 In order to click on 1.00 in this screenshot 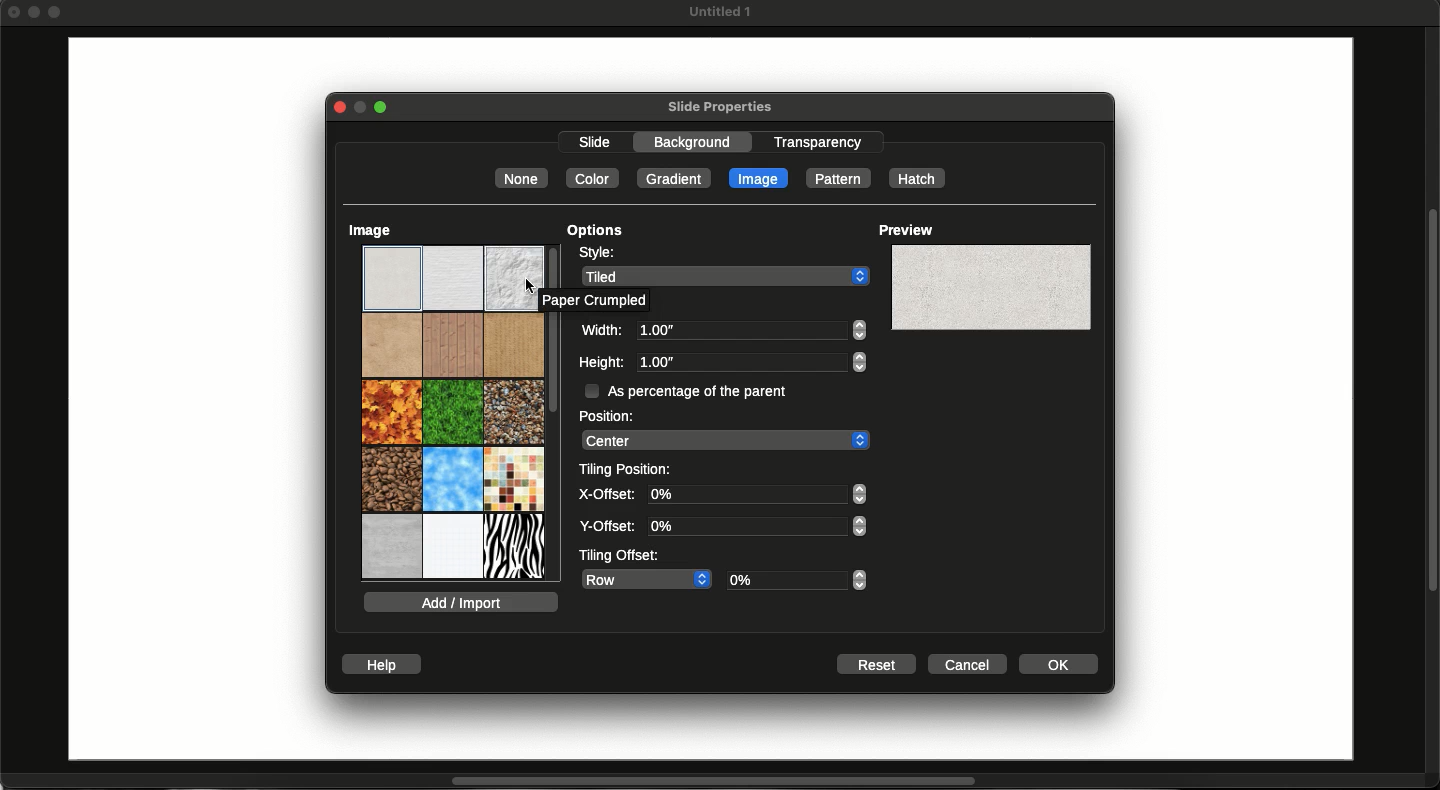, I will do `click(749, 330)`.